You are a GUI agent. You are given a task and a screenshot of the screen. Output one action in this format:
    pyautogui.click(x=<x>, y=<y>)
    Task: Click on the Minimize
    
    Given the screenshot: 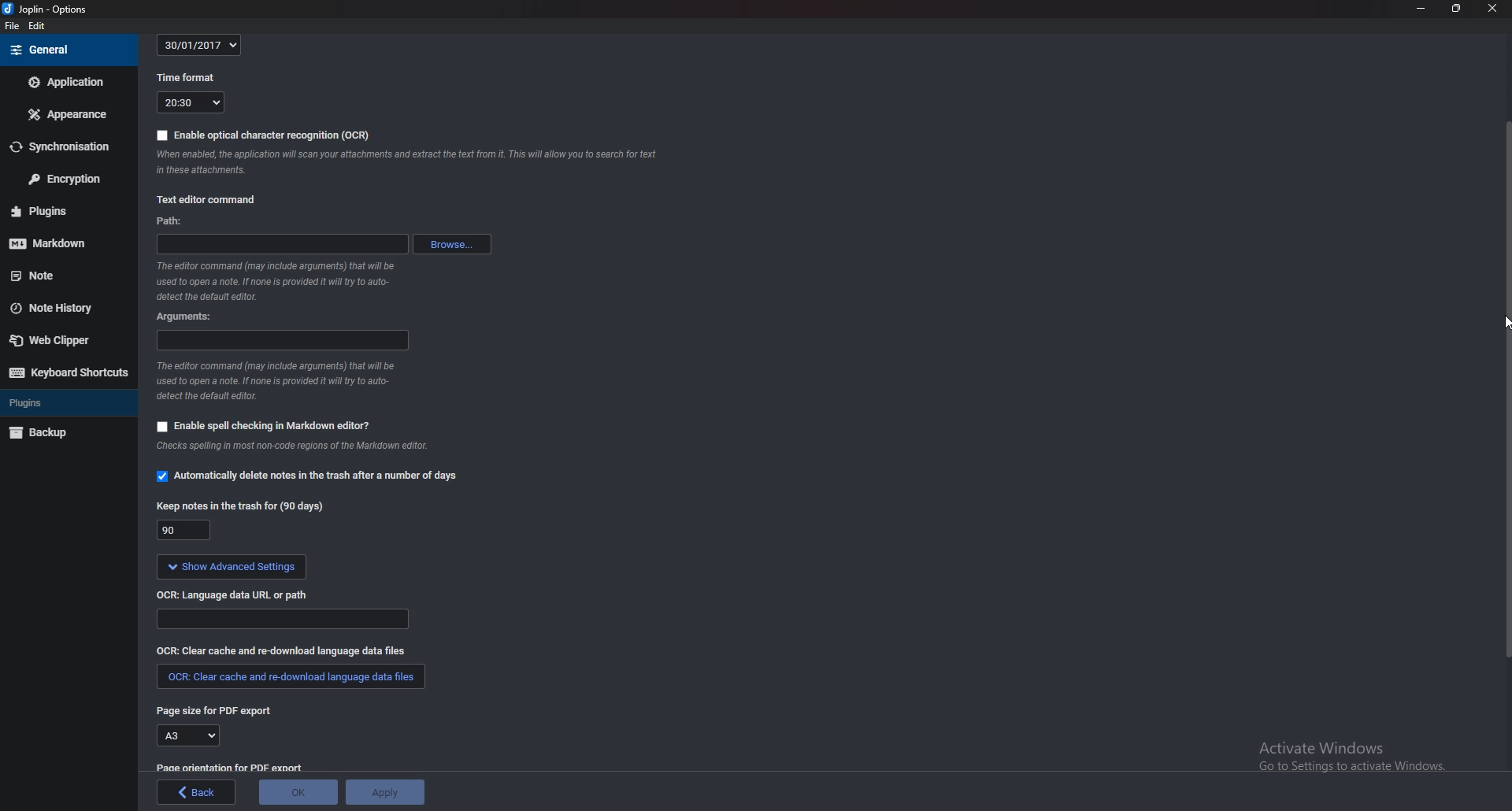 What is the action you would take?
    pyautogui.click(x=1421, y=9)
    